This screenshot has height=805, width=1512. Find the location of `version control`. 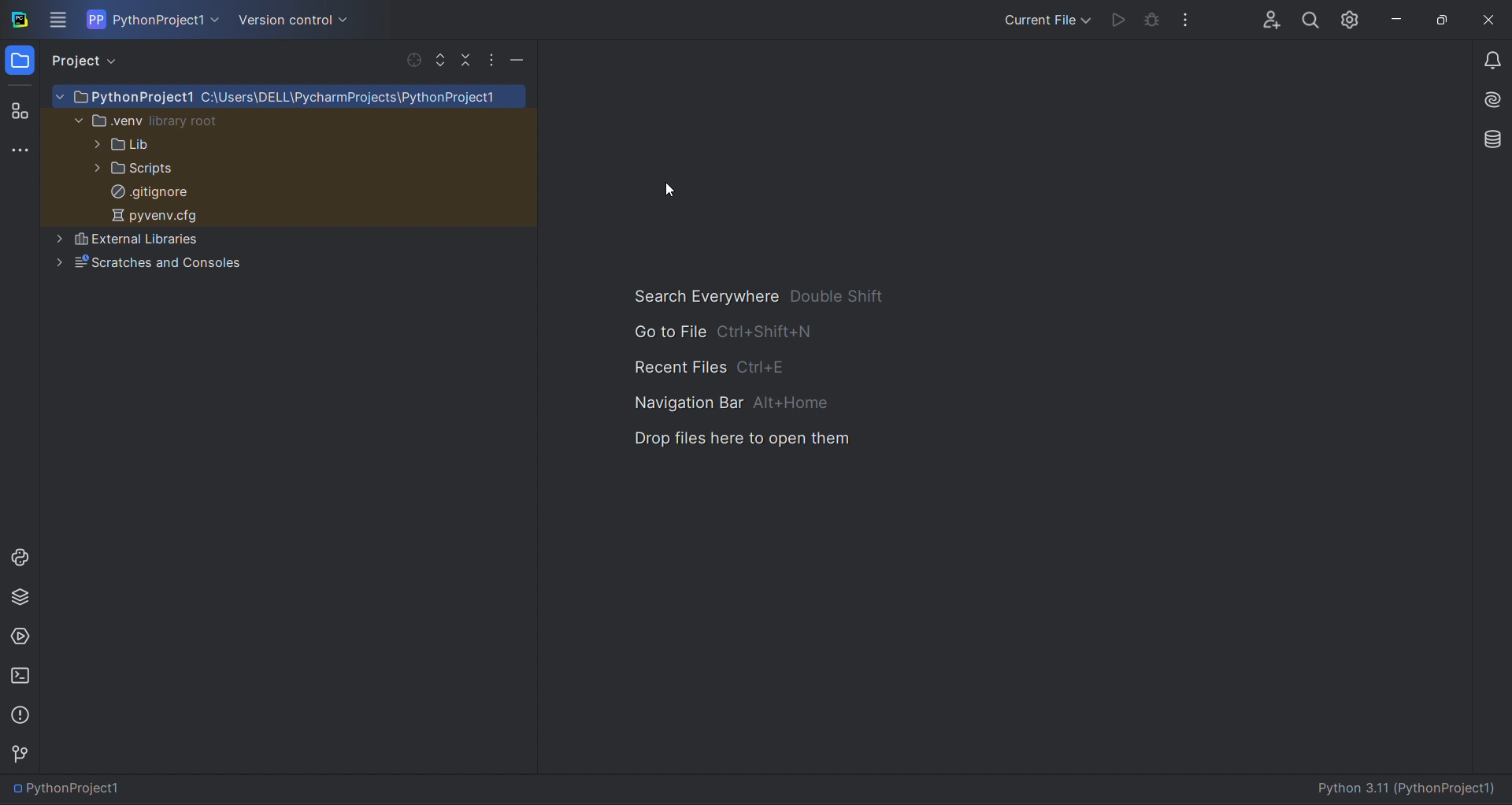

version control is located at coordinates (302, 20).